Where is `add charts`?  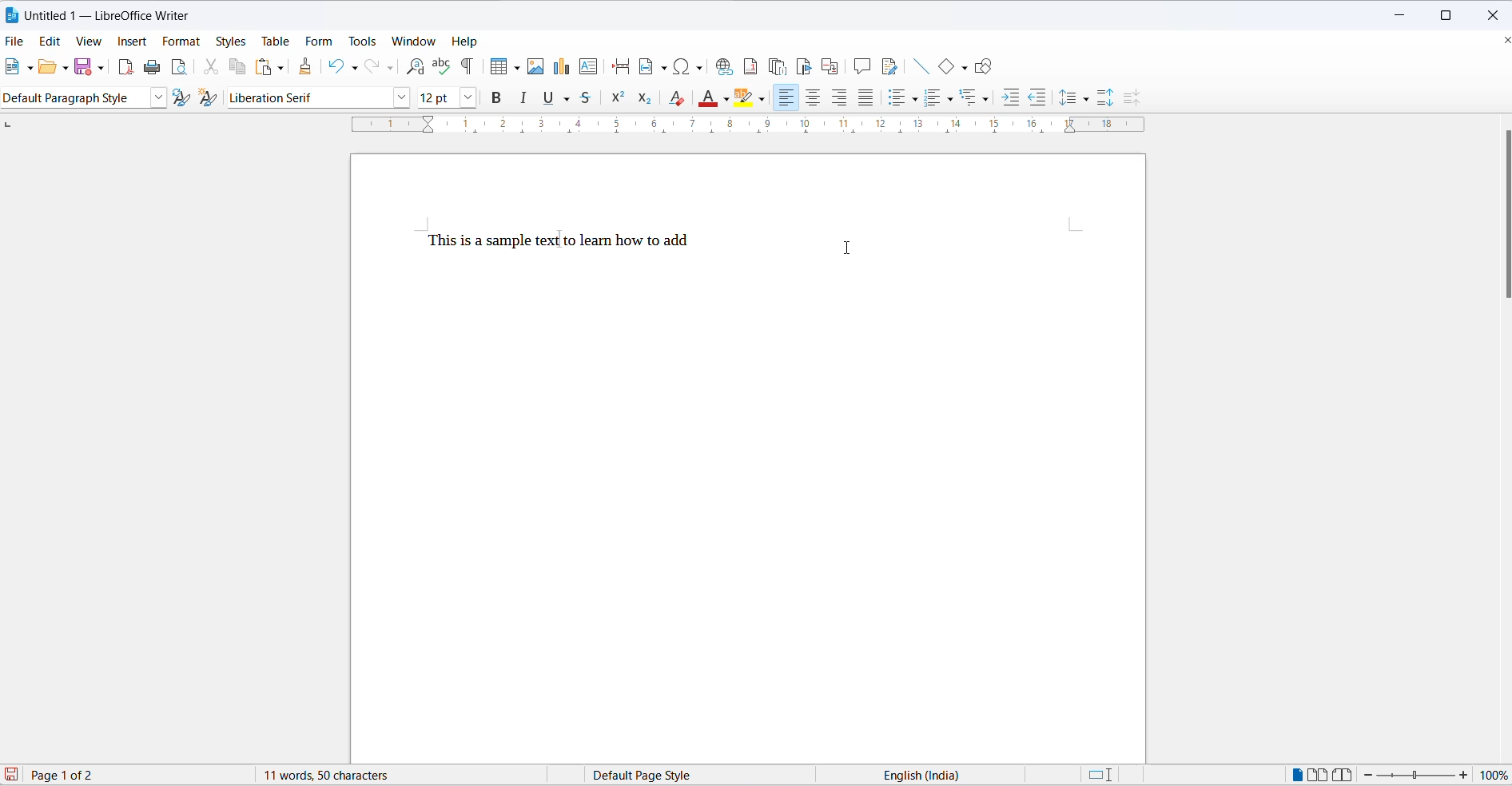
add charts is located at coordinates (561, 69).